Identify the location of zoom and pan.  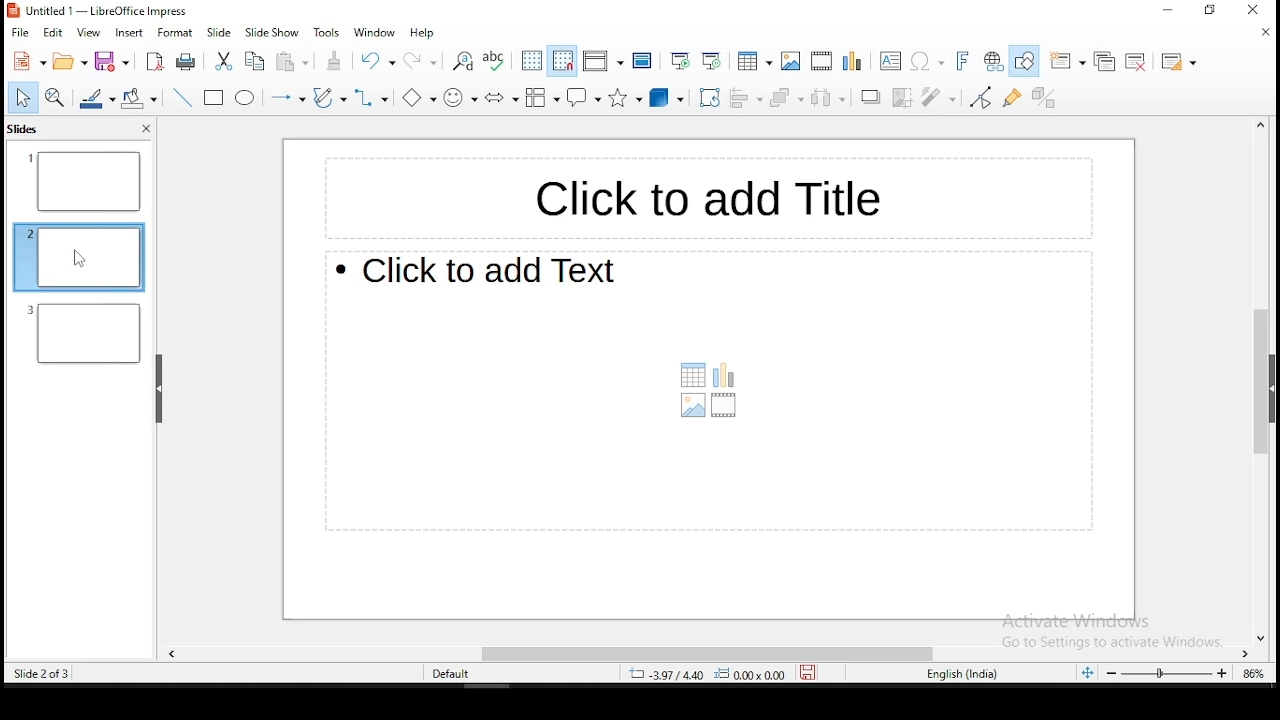
(55, 97).